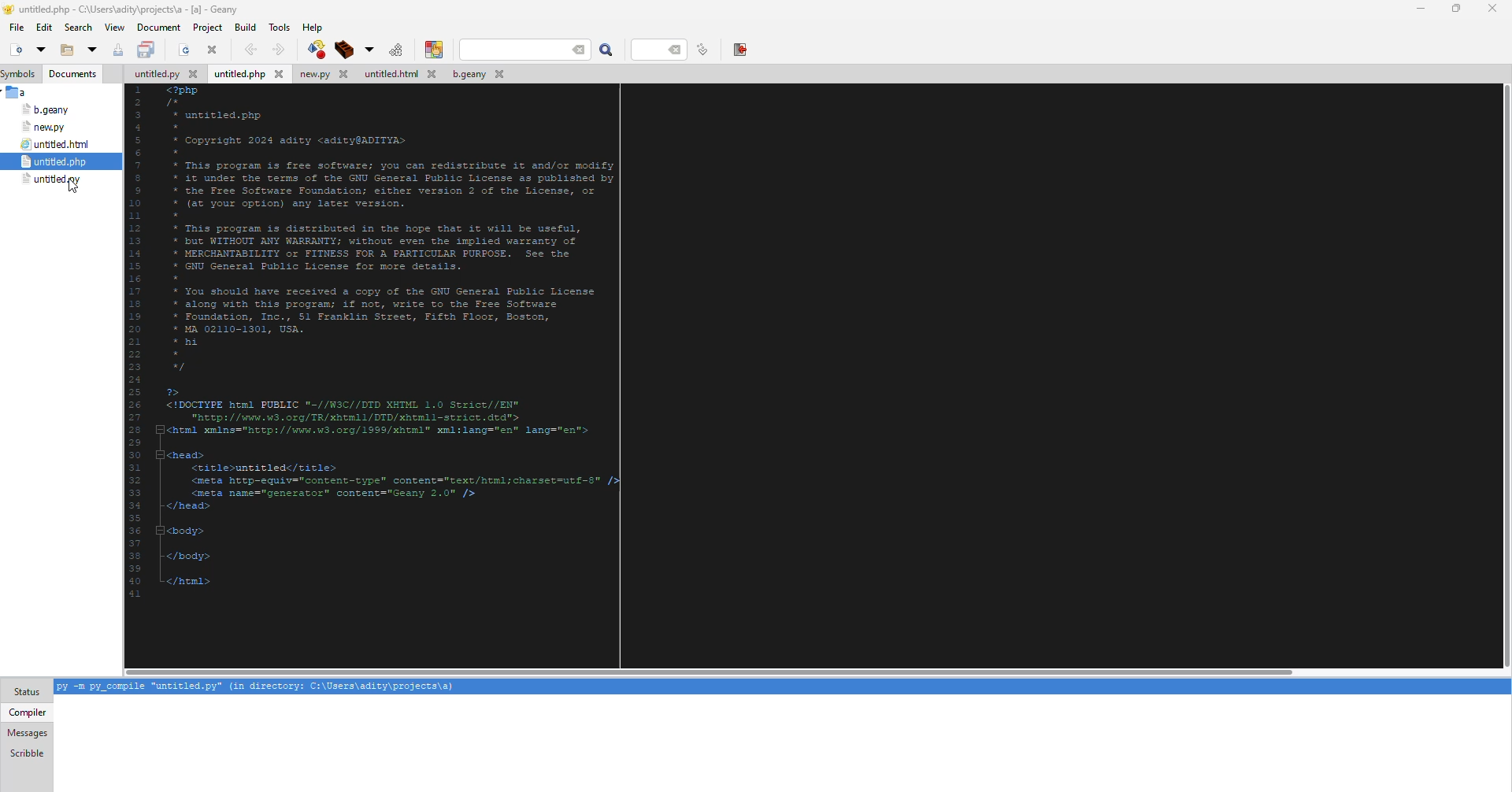  What do you see at coordinates (699, 50) in the screenshot?
I see `line number` at bounding box center [699, 50].